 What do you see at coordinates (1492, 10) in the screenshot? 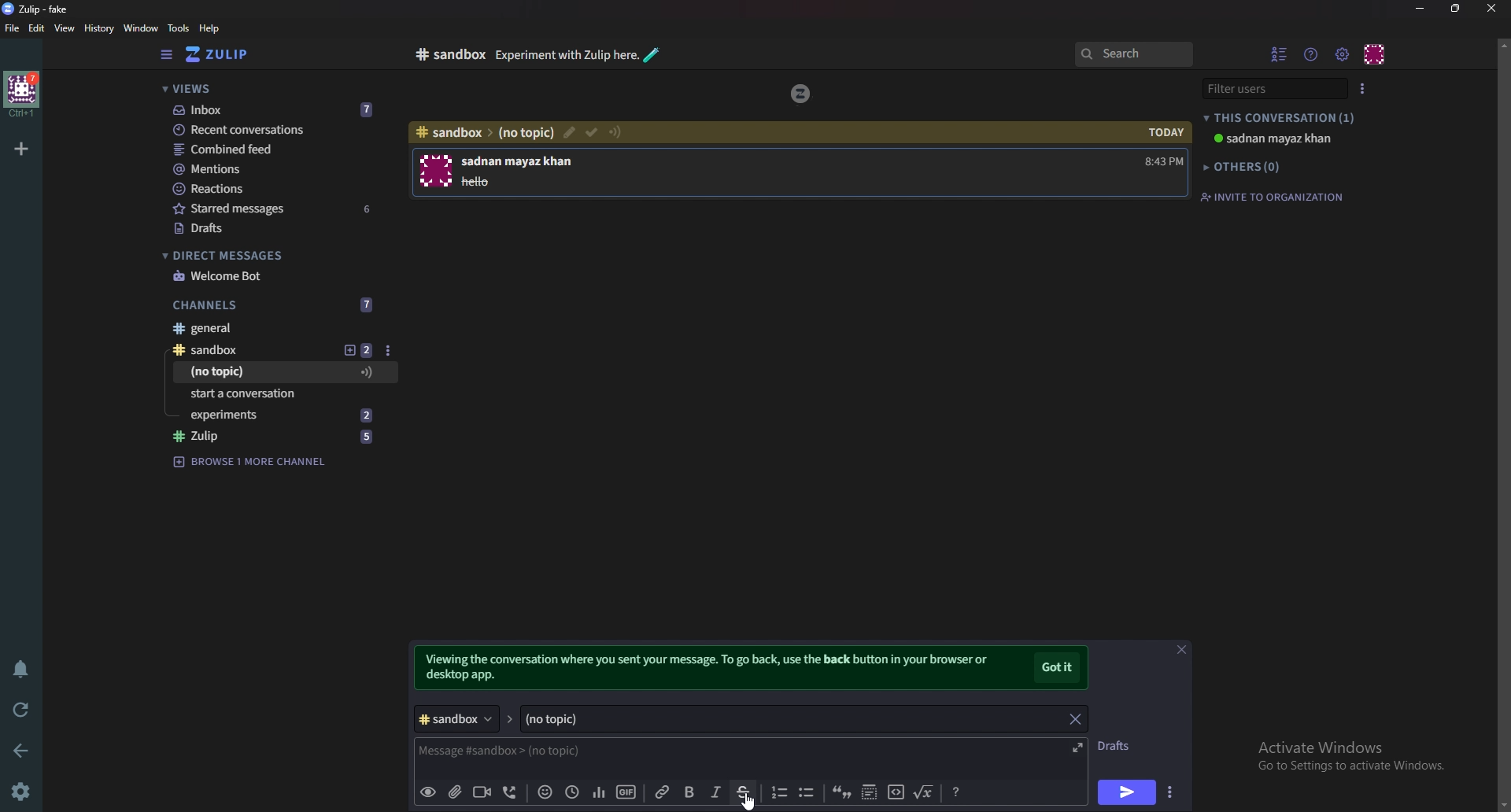
I see `close` at bounding box center [1492, 10].